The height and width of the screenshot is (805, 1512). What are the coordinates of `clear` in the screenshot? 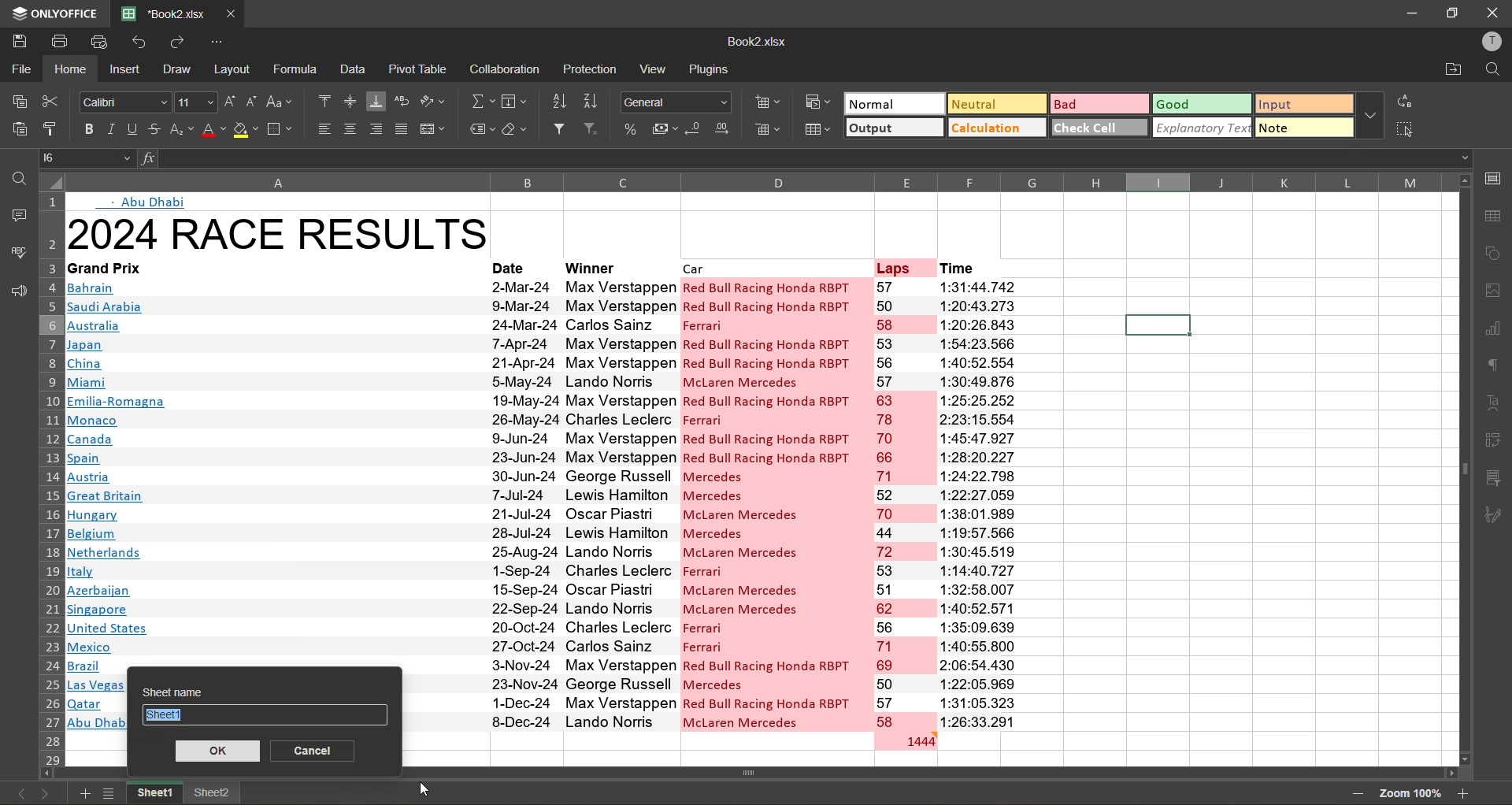 It's located at (516, 131).